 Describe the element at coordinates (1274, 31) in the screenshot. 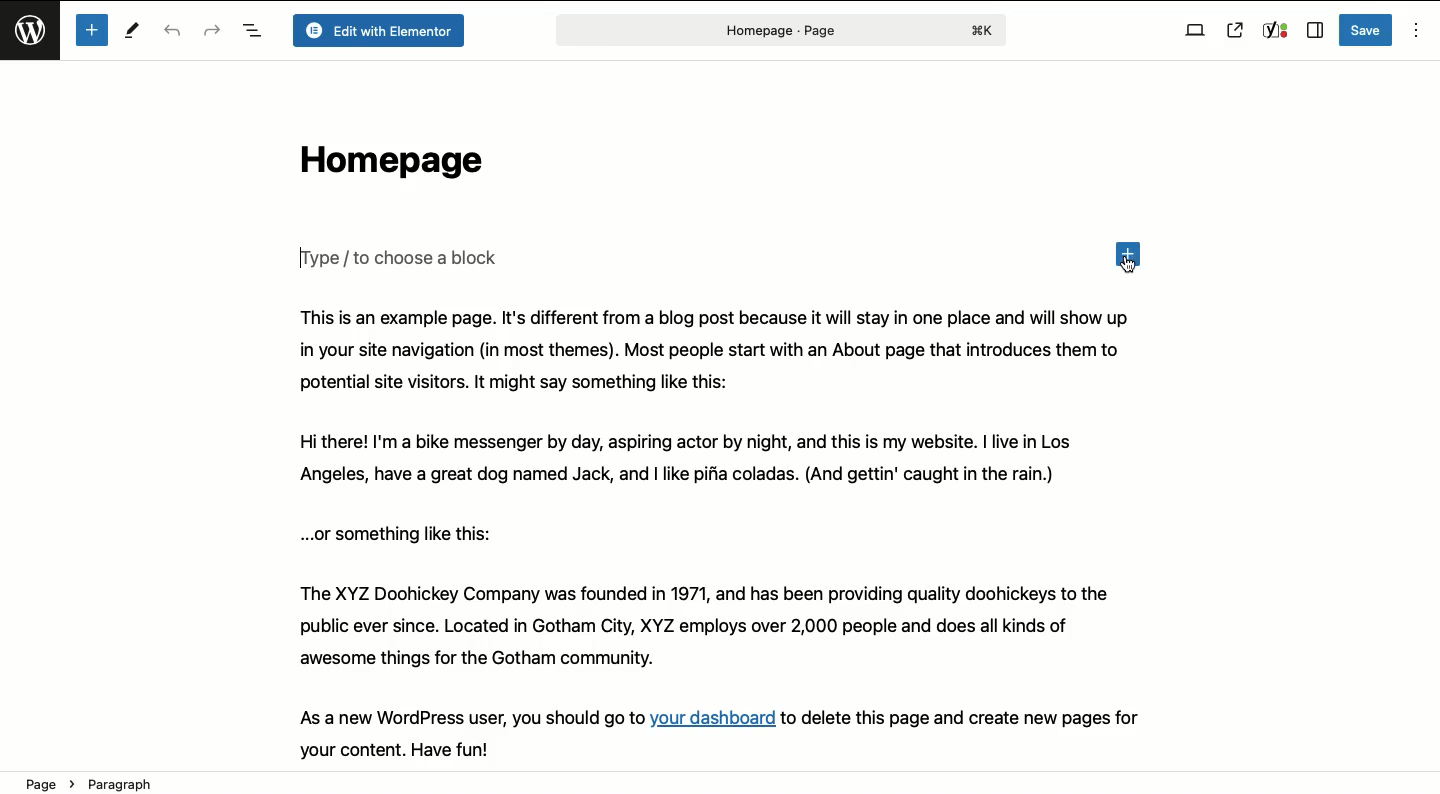

I see `Yoast` at that location.